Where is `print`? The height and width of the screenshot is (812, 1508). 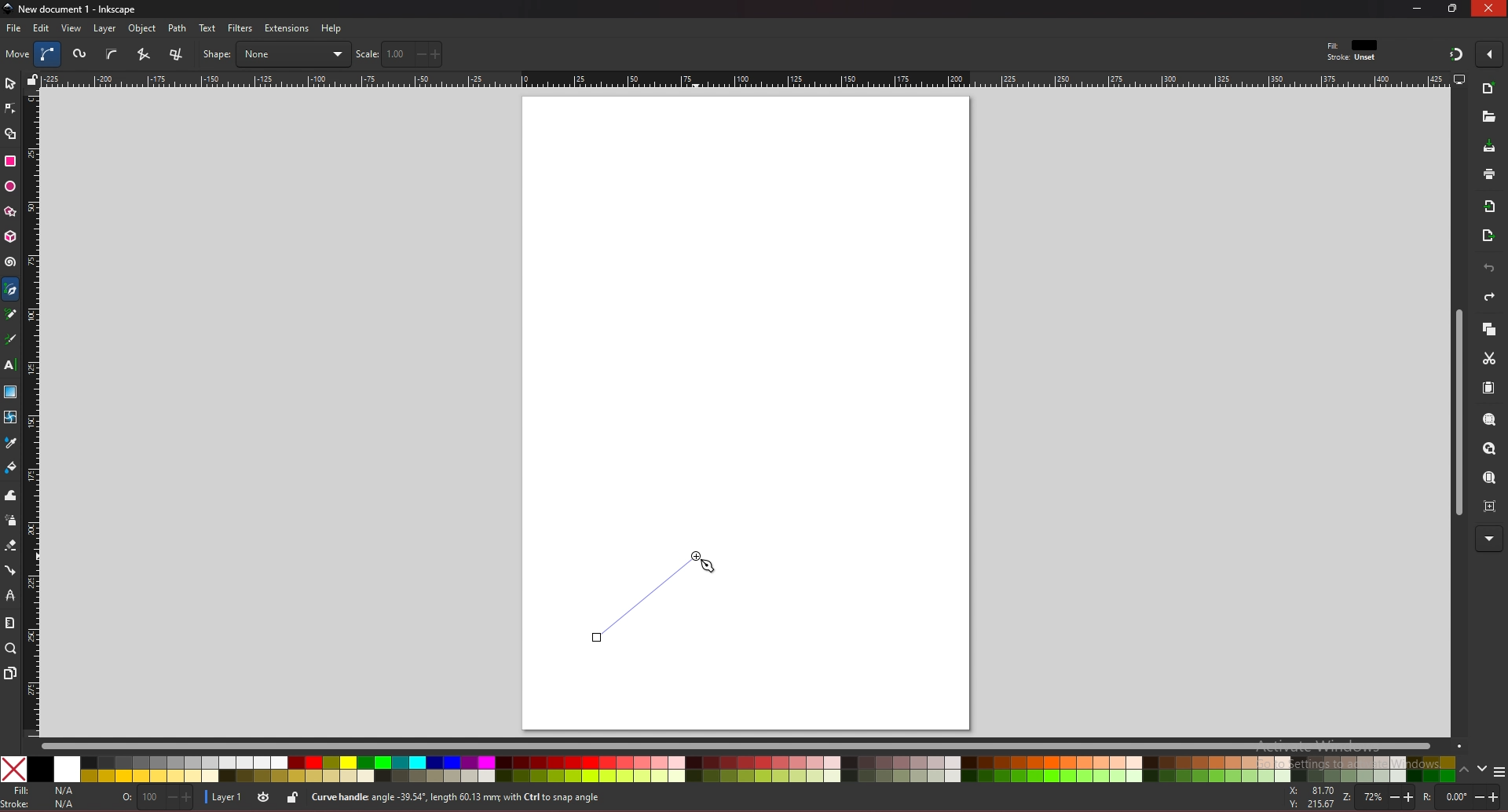 print is located at coordinates (1489, 174).